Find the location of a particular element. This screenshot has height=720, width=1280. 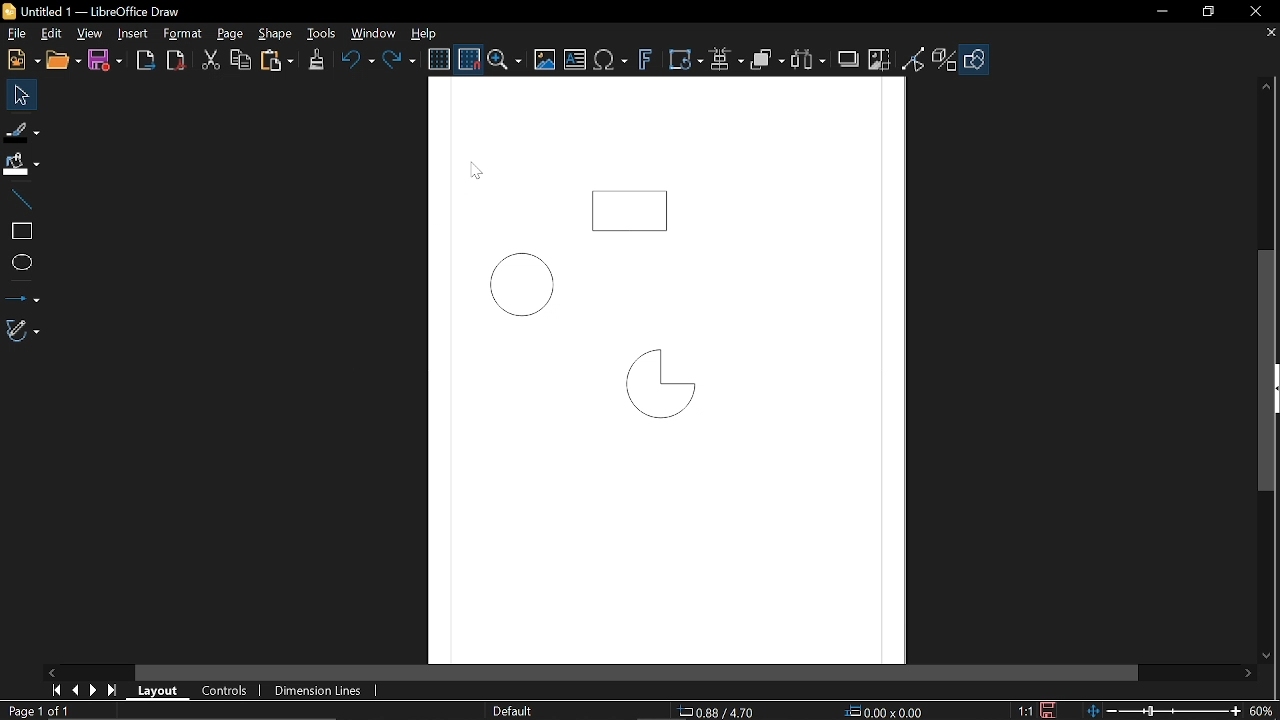

Save is located at coordinates (1046, 709).